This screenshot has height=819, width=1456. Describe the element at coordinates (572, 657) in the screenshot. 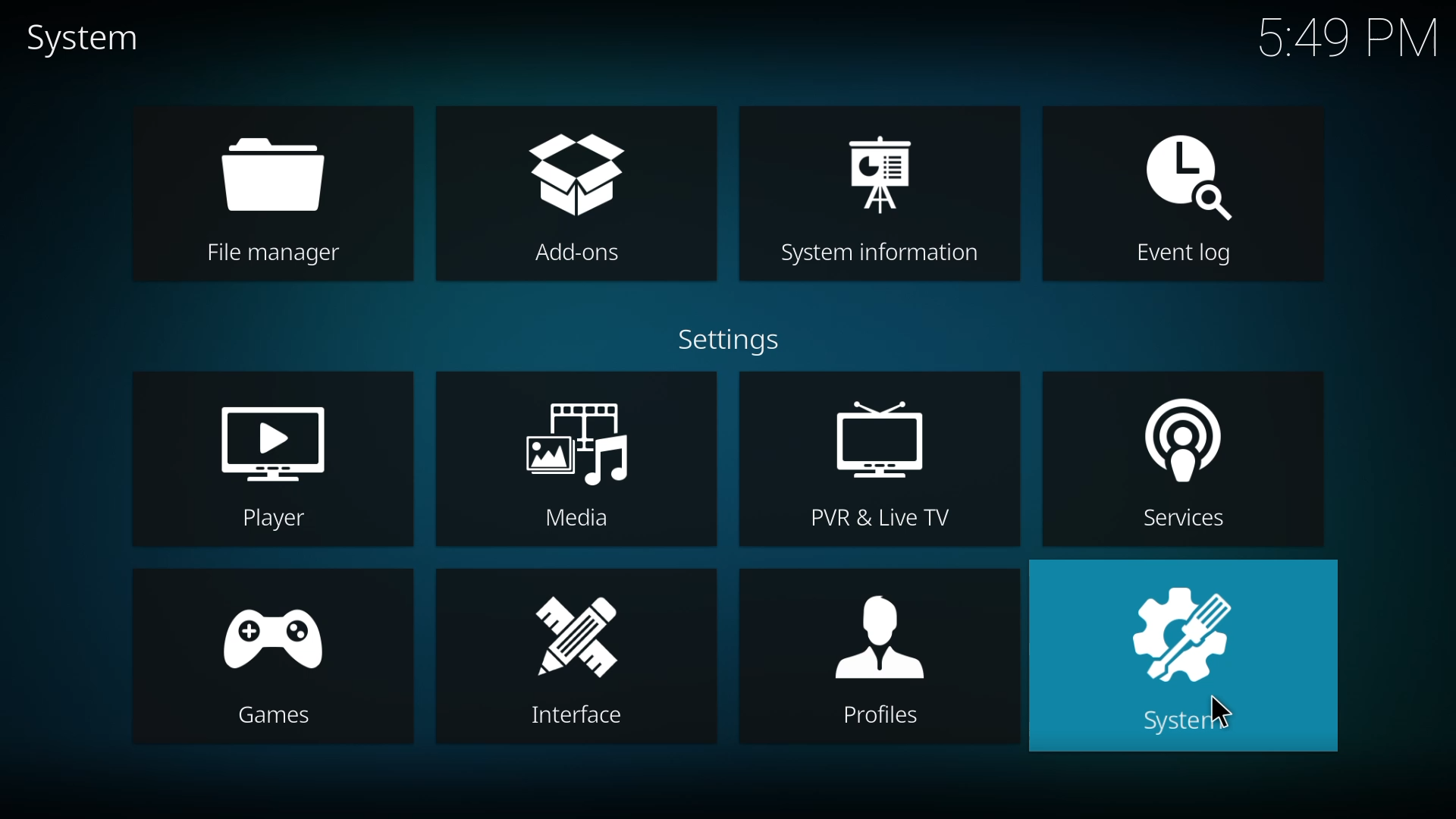

I see `interface` at that location.